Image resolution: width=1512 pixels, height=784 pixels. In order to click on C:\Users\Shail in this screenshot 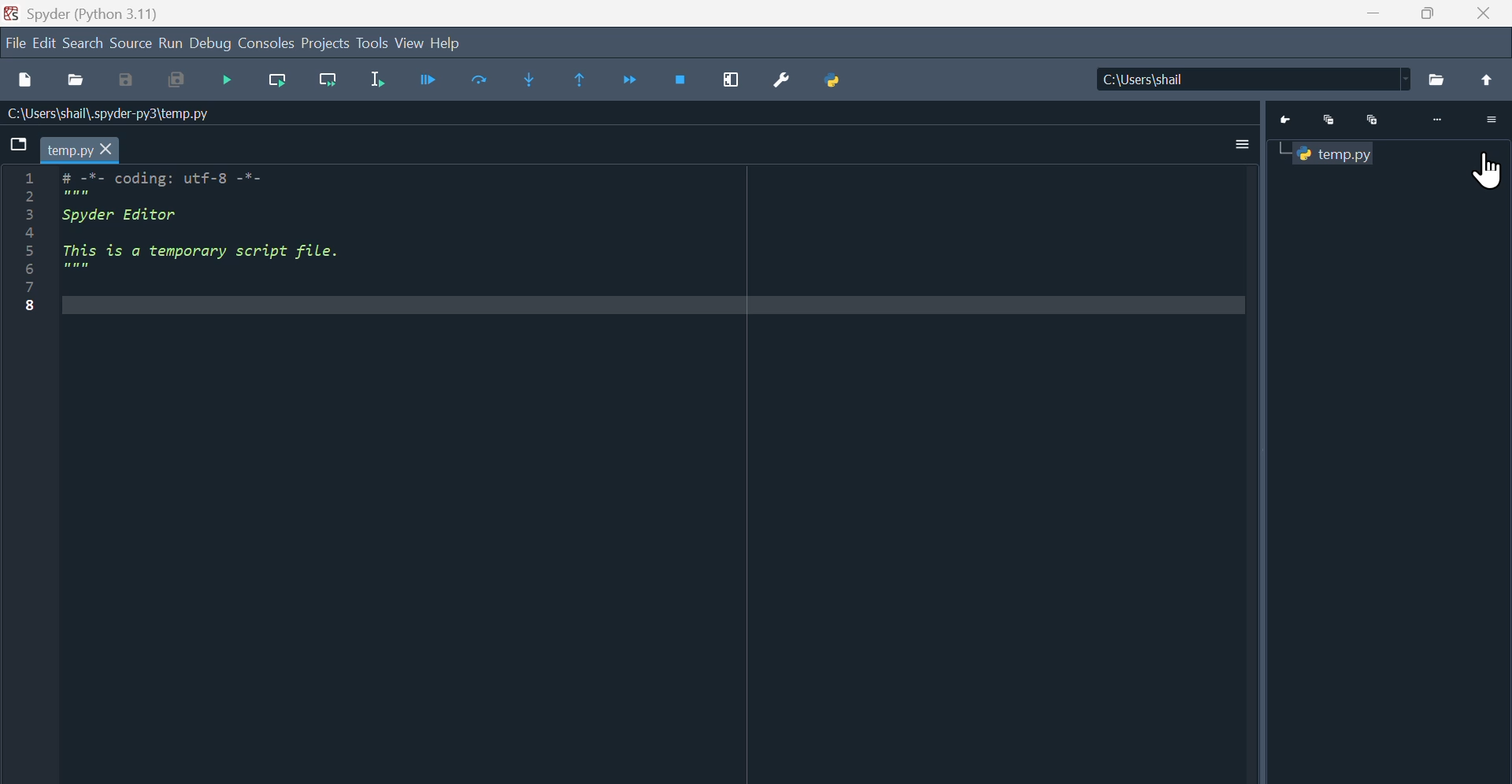, I will do `click(1304, 79)`.